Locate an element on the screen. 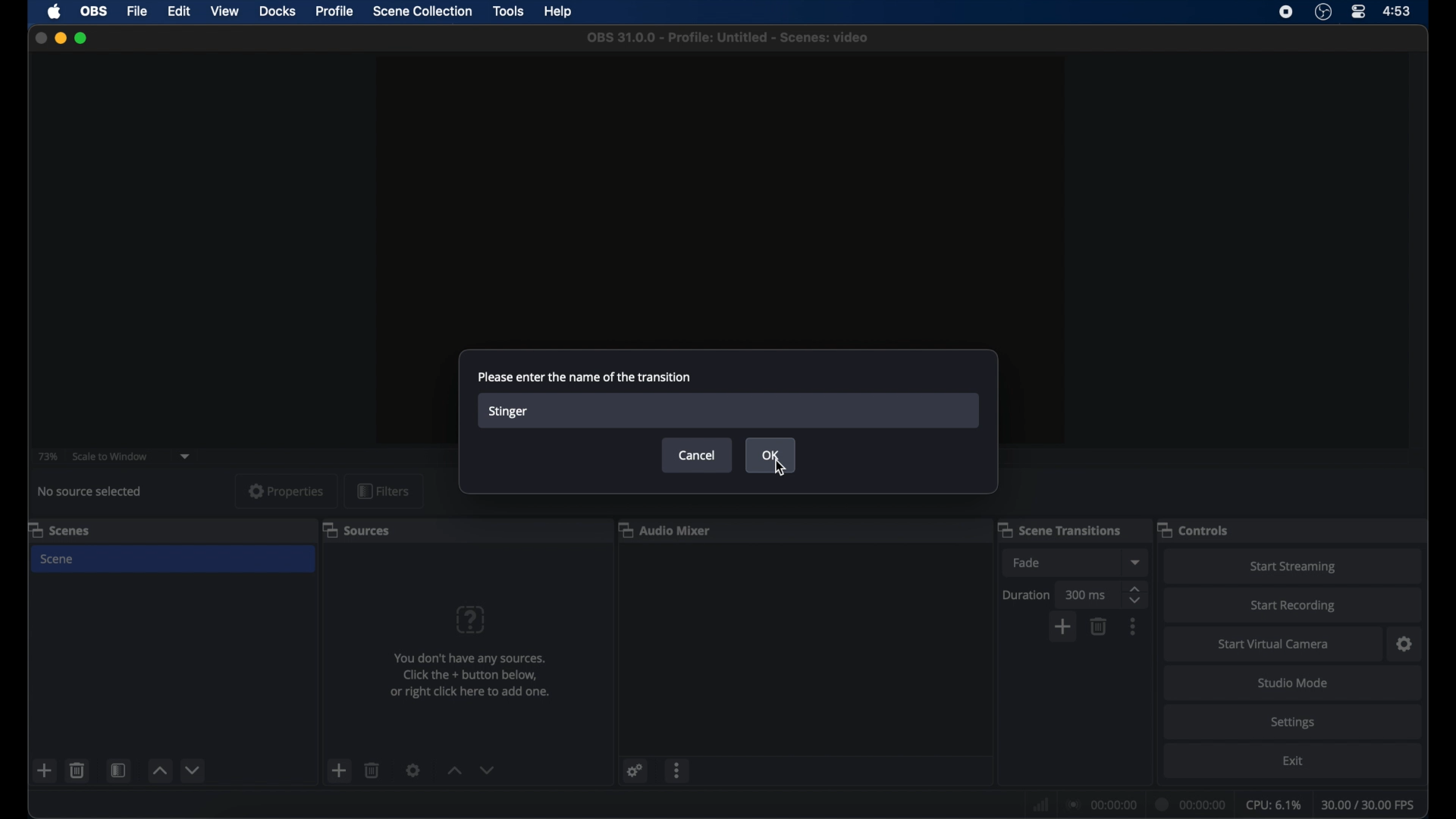 The image size is (1456, 819). more options is located at coordinates (1134, 626).